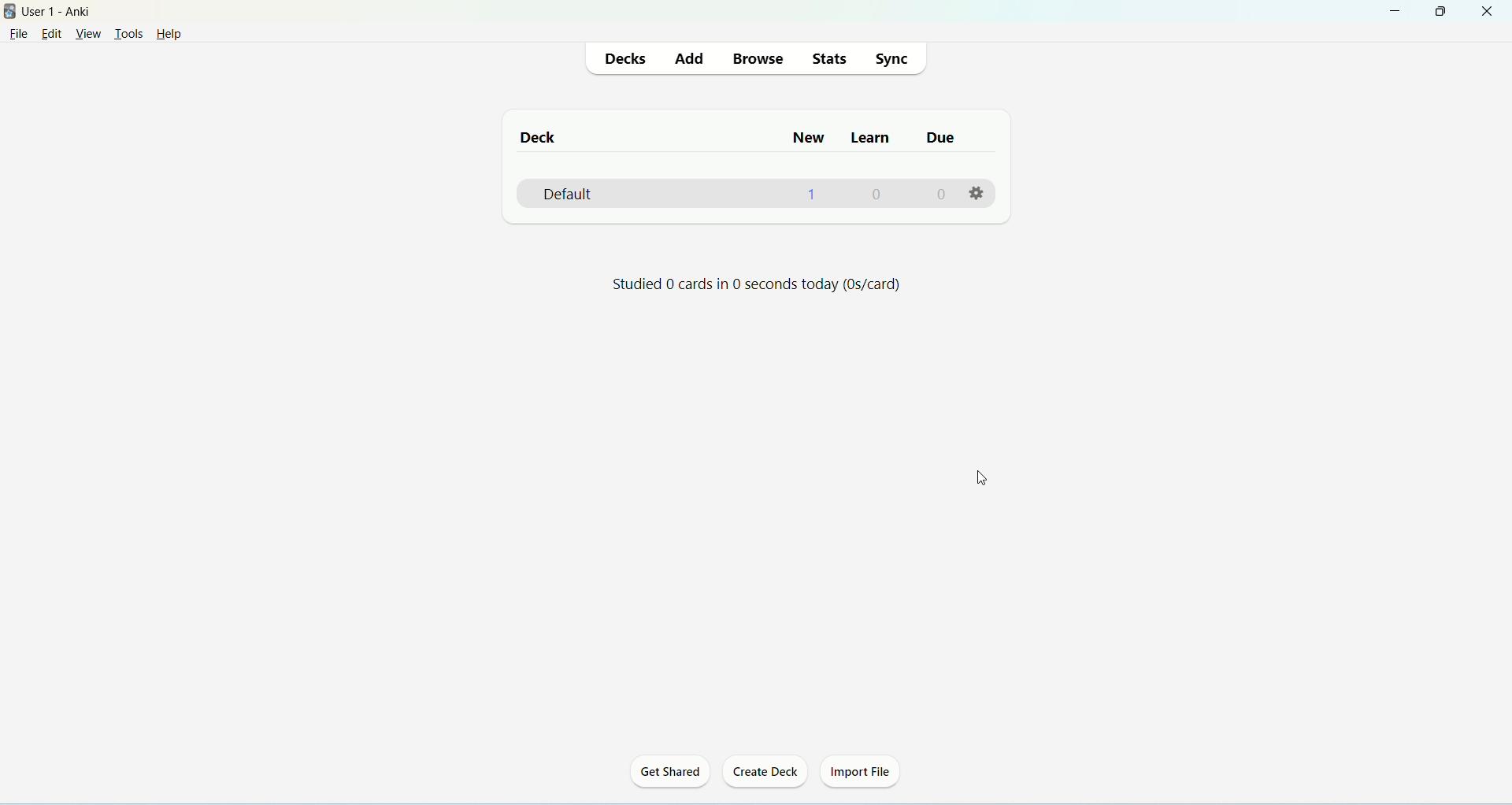 This screenshot has height=805, width=1512. What do you see at coordinates (877, 195) in the screenshot?
I see `0` at bounding box center [877, 195].